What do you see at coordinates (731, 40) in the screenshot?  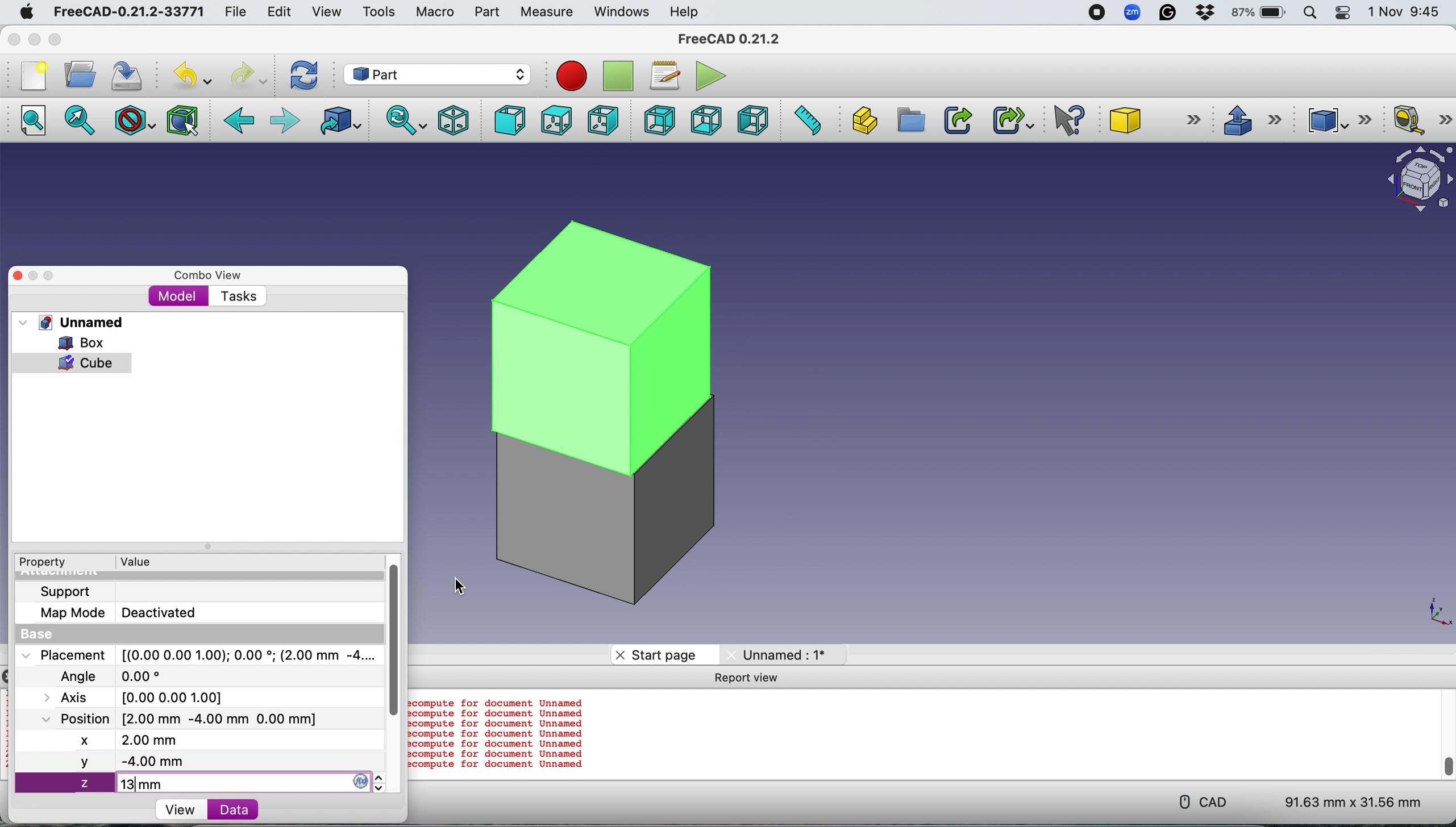 I see `FreeCAD 0.21.2` at bounding box center [731, 40].